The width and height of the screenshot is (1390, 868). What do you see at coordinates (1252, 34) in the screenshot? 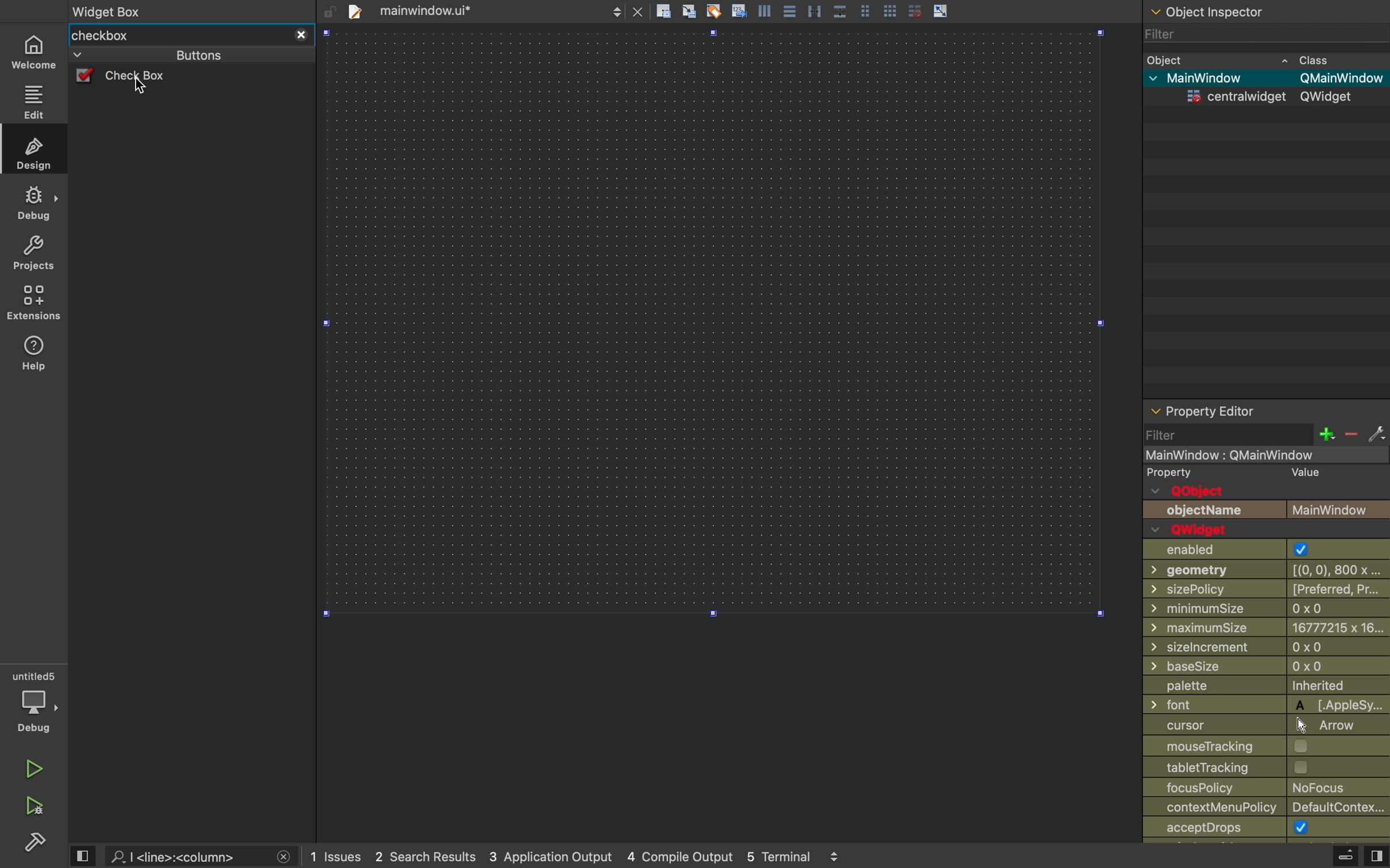
I see `filter` at bounding box center [1252, 34].